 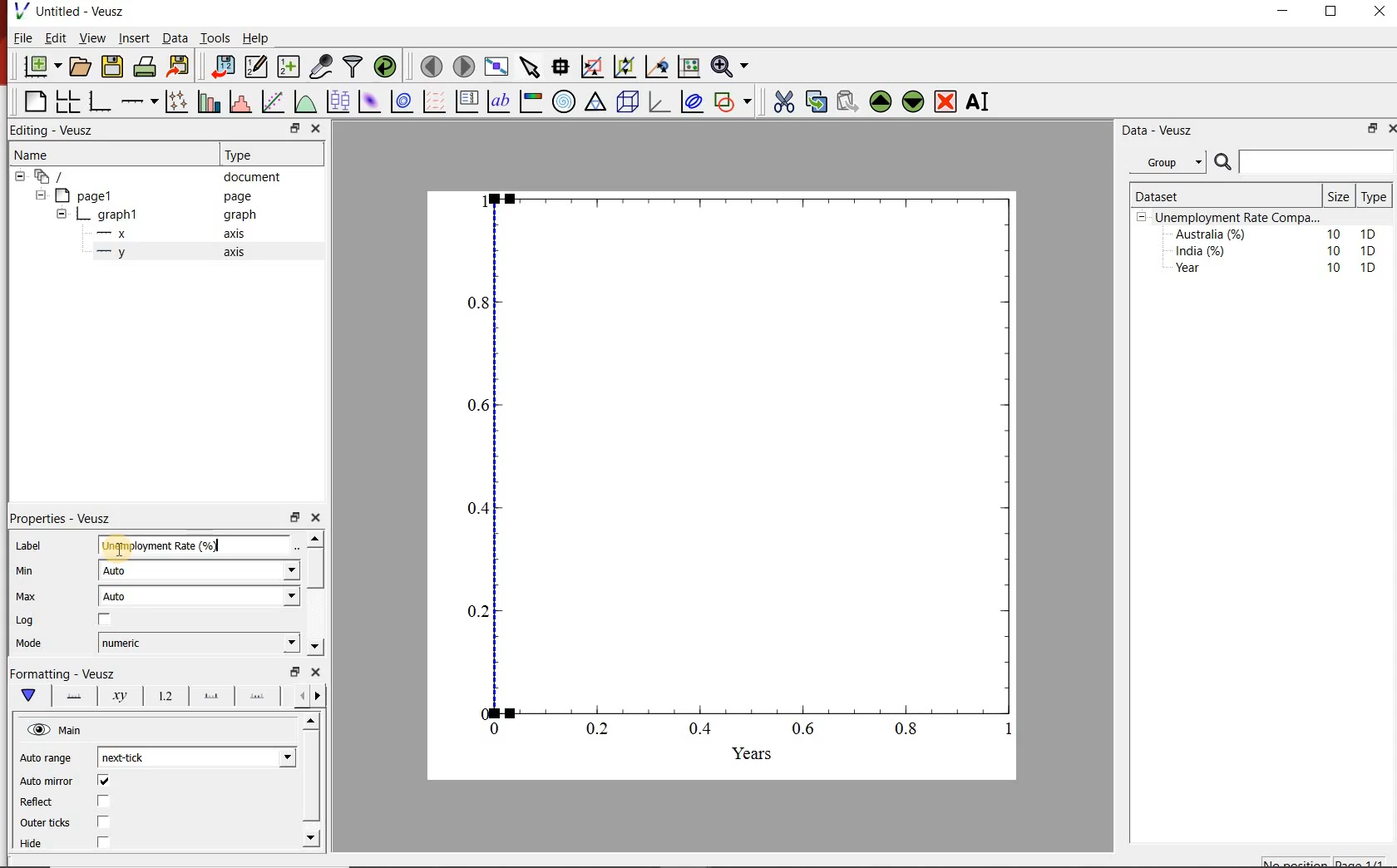 I want to click on move up, so click(x=315, y=538).